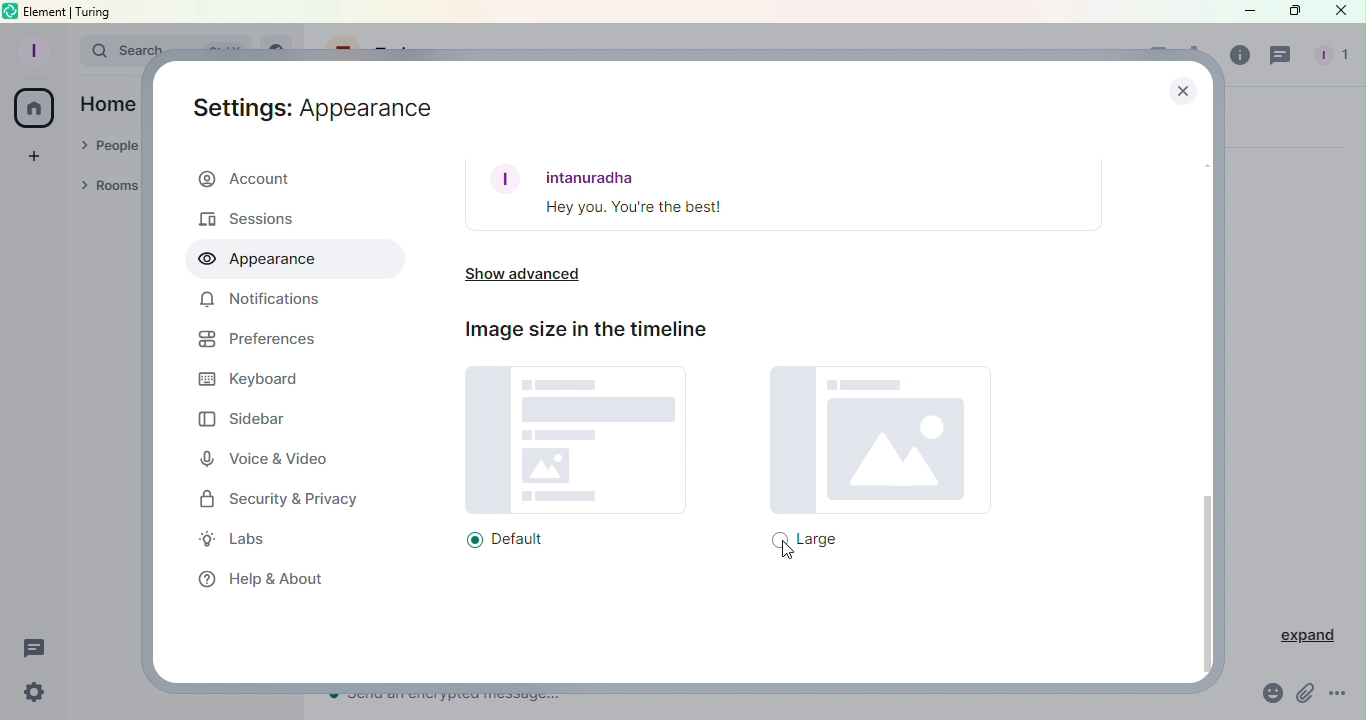  I want to click on Attachment, so click(1306, 696).